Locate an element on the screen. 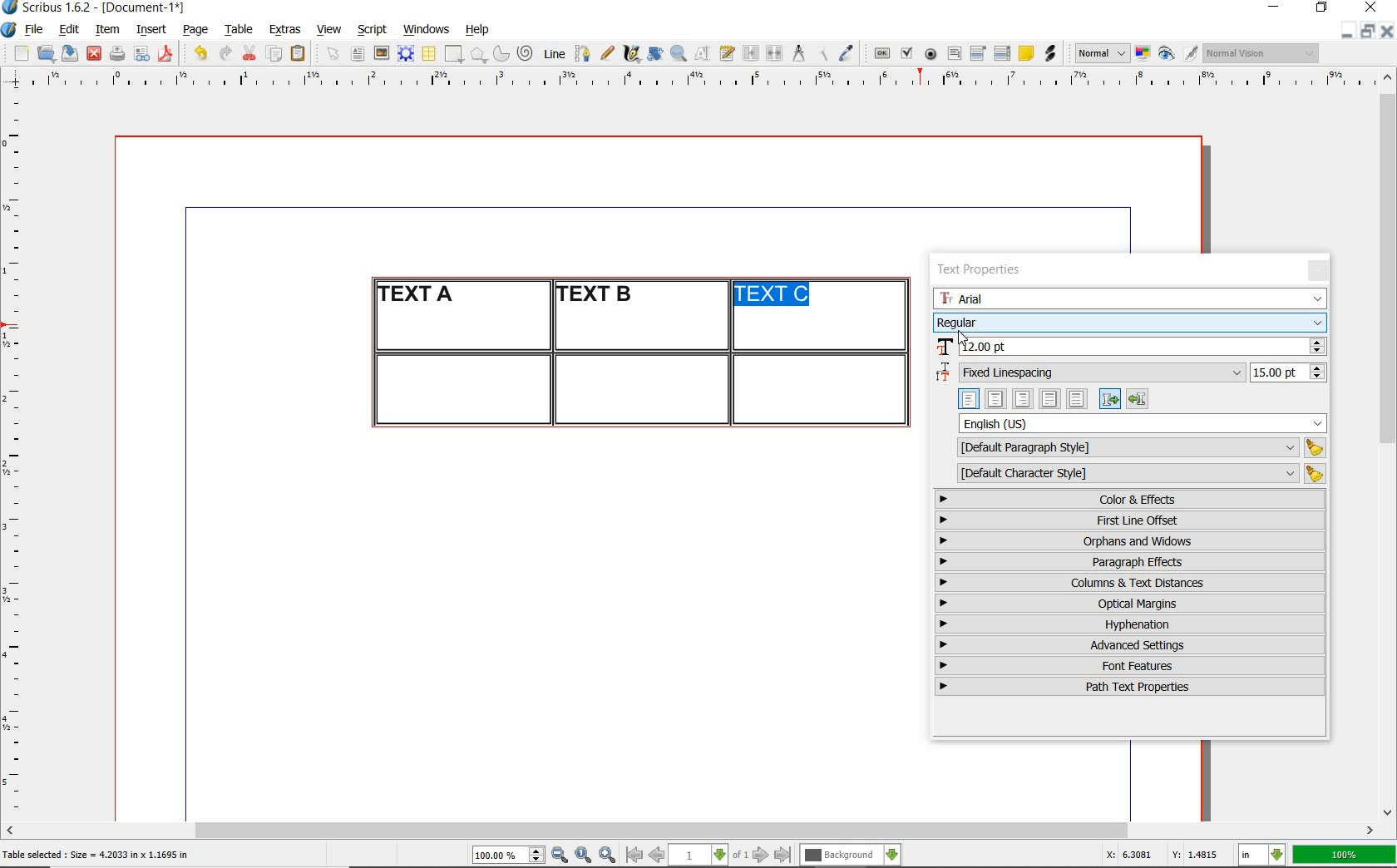  Bezier curve is located at coordinates (581, 53).